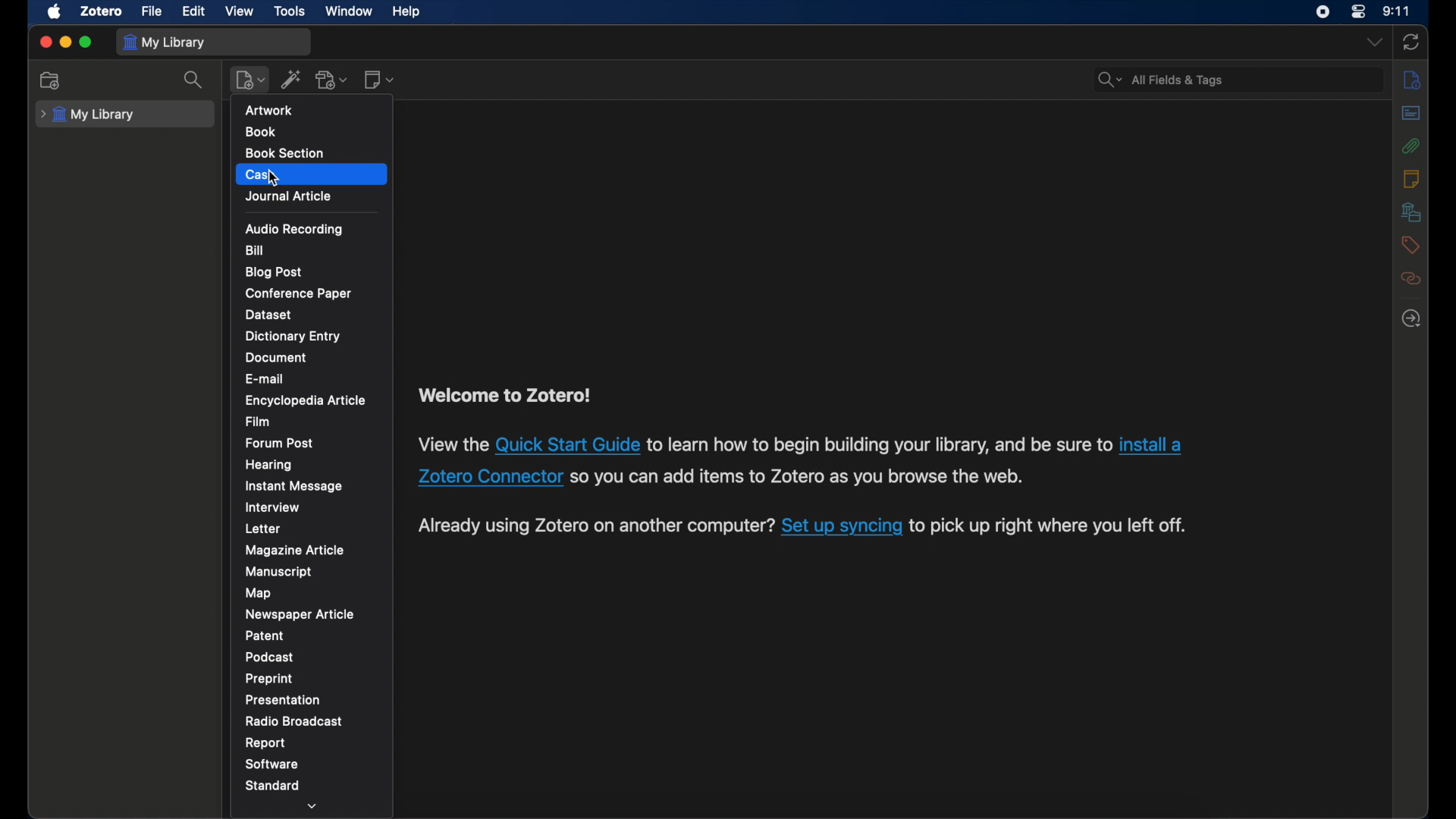 The height and width of the screenshot is (819, 1456). I want to click on apple icon, so click(55, 12).